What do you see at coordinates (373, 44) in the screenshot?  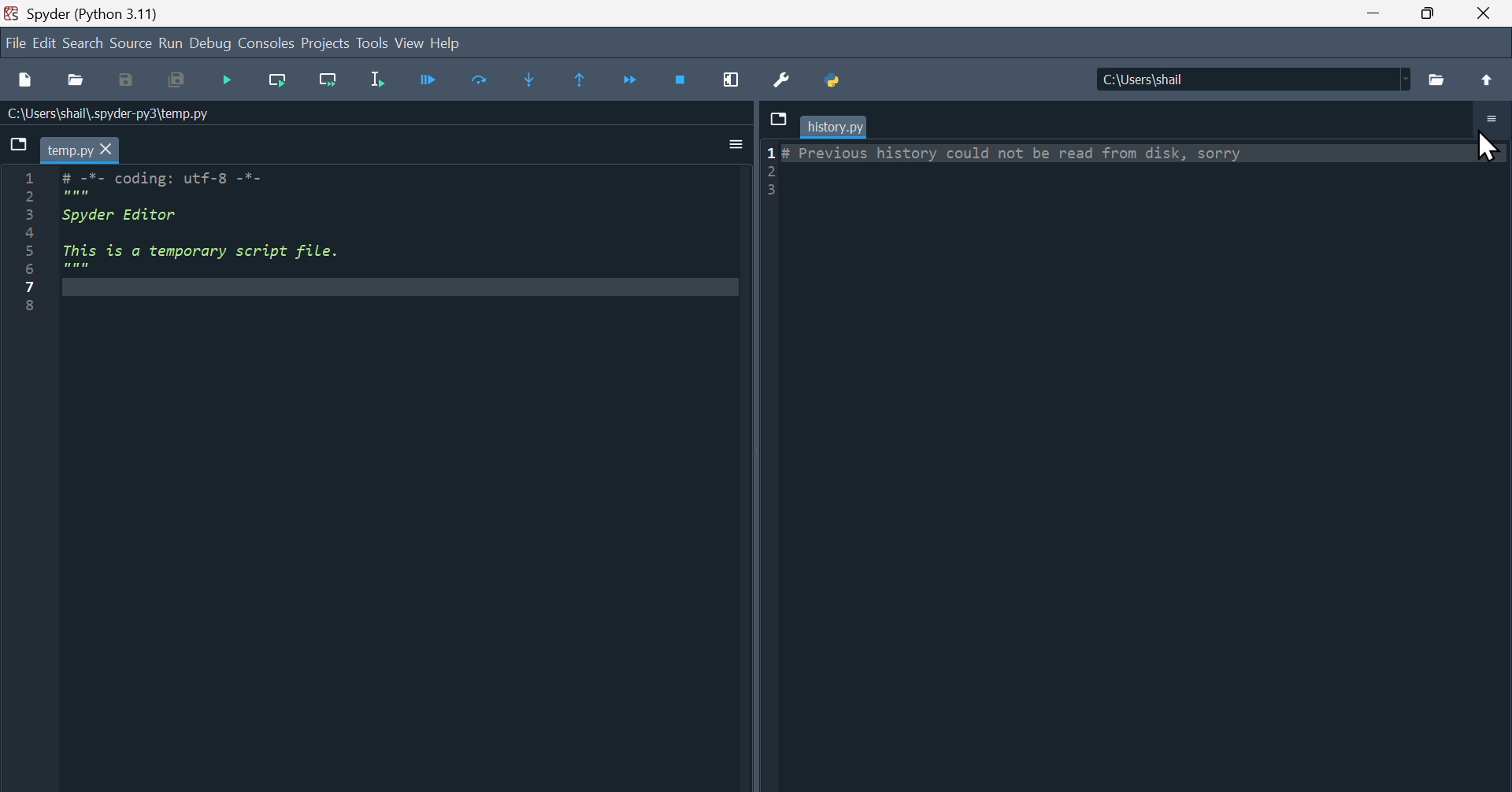 I see `Tools` at bounding box center [373, 44].